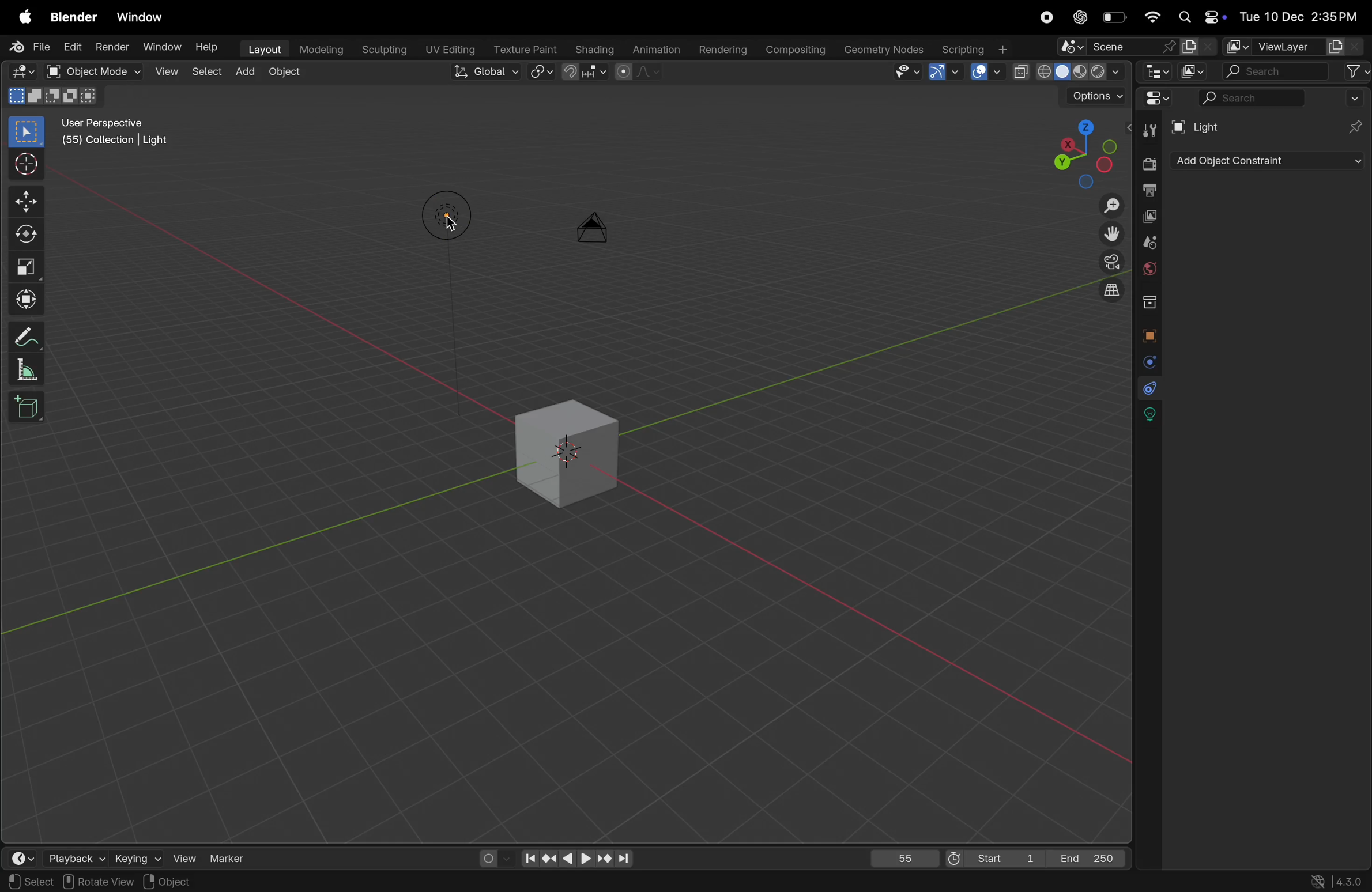  I want to click on End, so click(1092, 858).